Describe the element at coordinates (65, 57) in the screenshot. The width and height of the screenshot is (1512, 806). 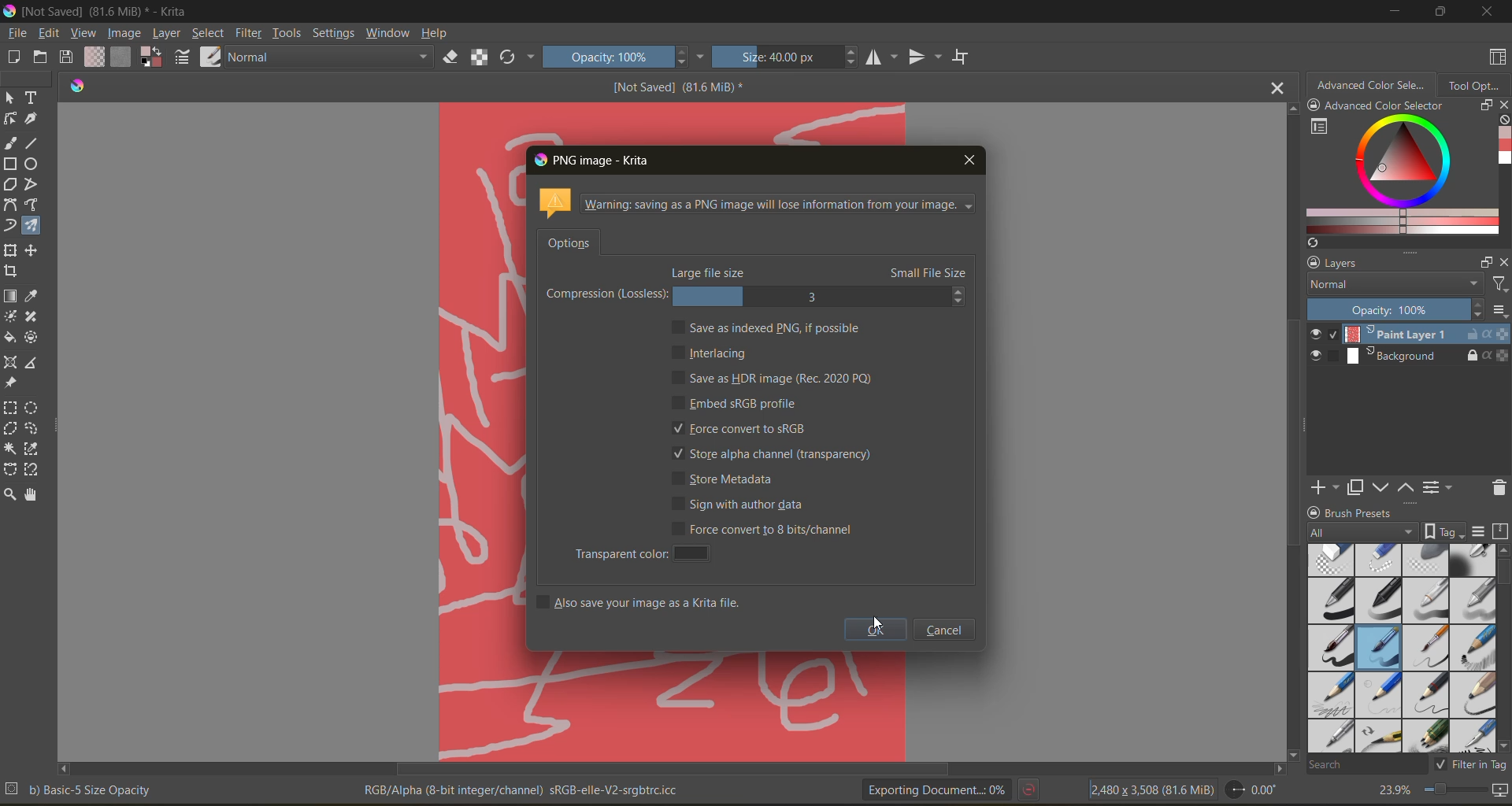
I see `save` at that location.